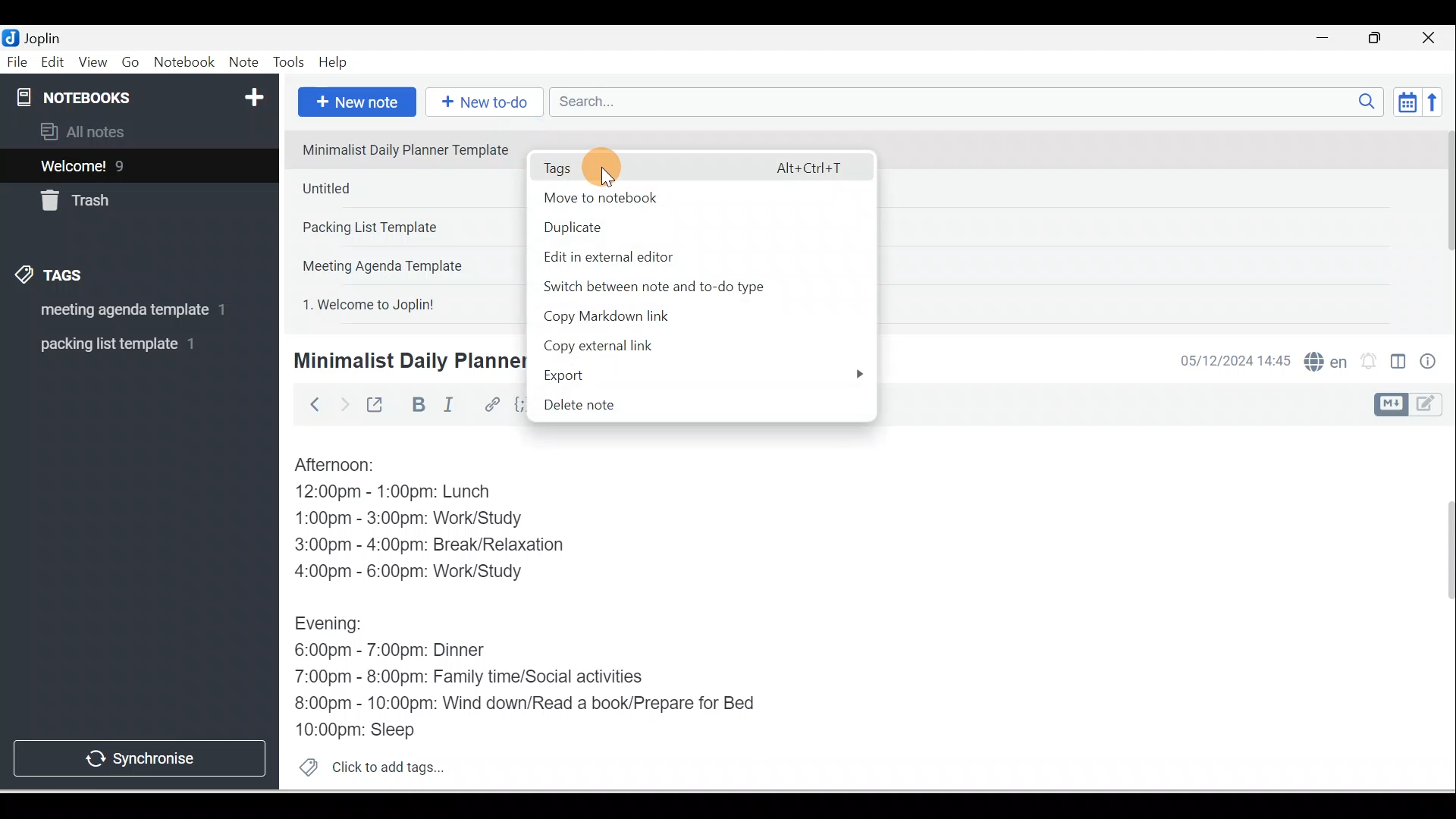  I want to click on 6:00pm - 7:00pm: Dinner, so click(401, 651).